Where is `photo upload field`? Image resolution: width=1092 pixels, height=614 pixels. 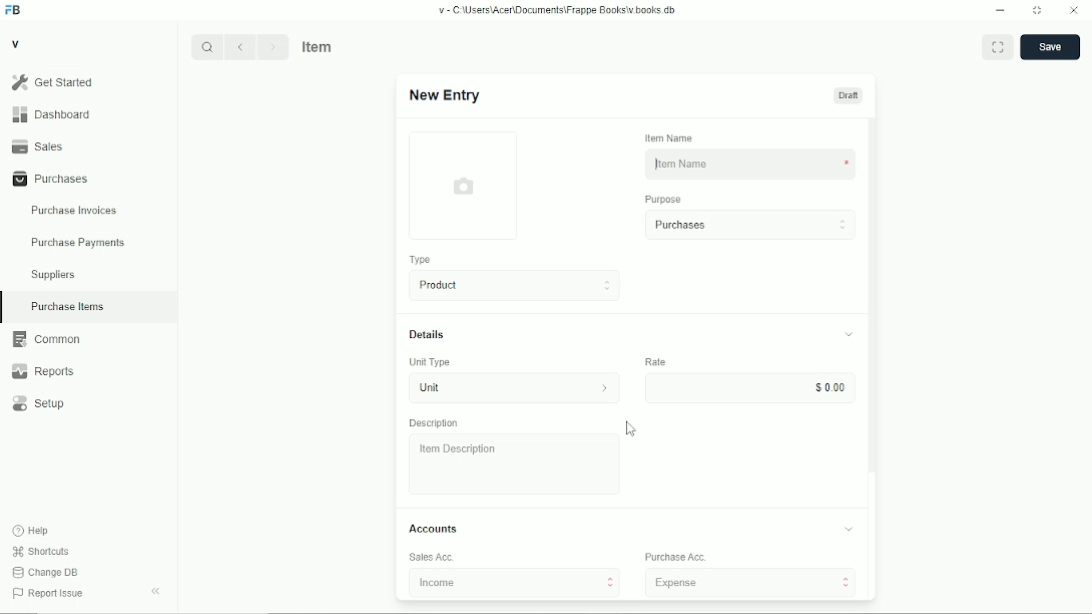
photo upload field is located at coordinates (465, 185).